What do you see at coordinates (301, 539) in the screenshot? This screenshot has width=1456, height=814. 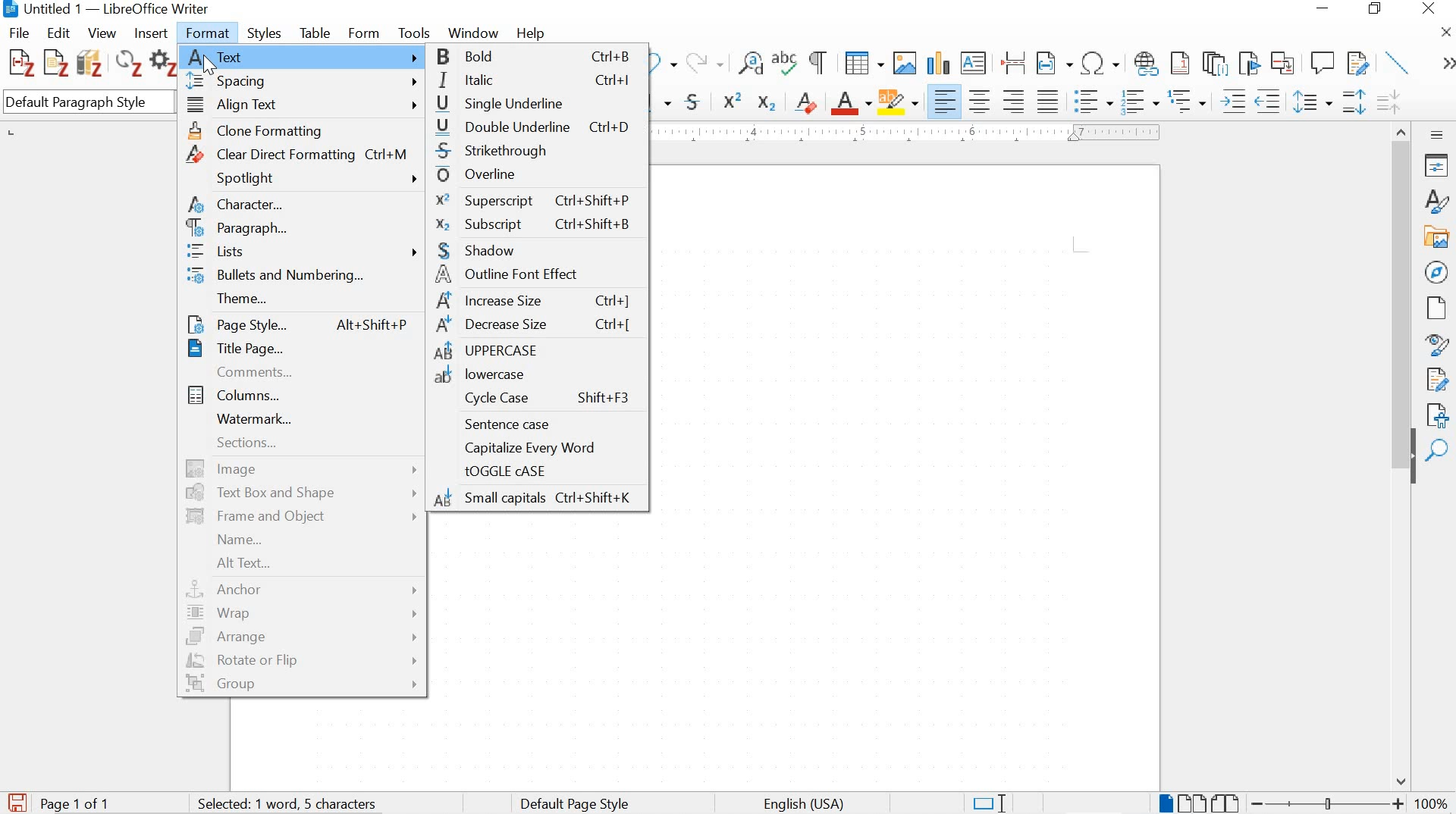 I see `name` at bounding box center [301, 539].